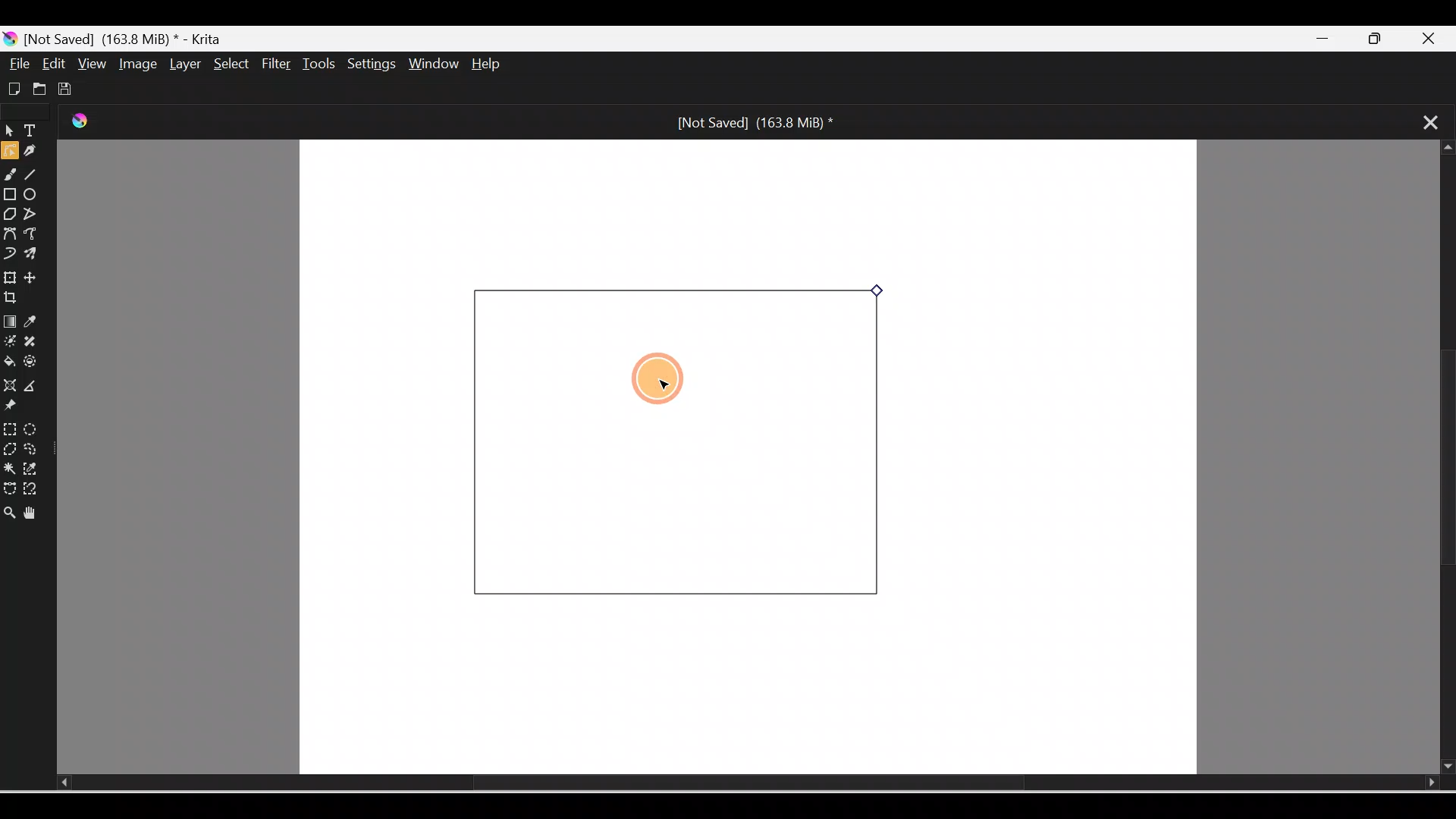  What do you see at coordinates (9, 508) in the screenshot?
I see `Zoom tool` at bounding box center [9, 508].